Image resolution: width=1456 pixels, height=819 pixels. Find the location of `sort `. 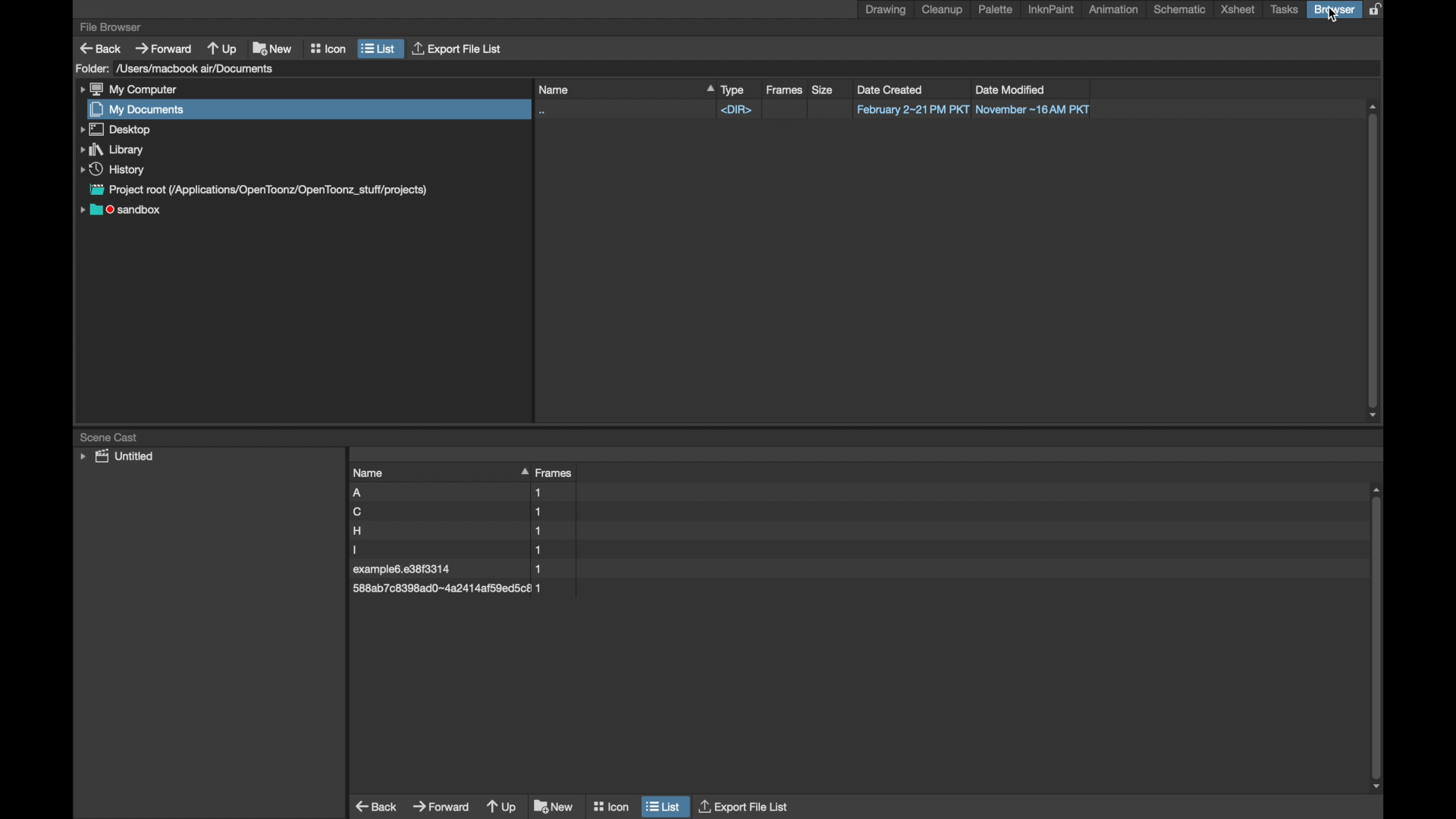

sort  is located at coordinates (704, 89).